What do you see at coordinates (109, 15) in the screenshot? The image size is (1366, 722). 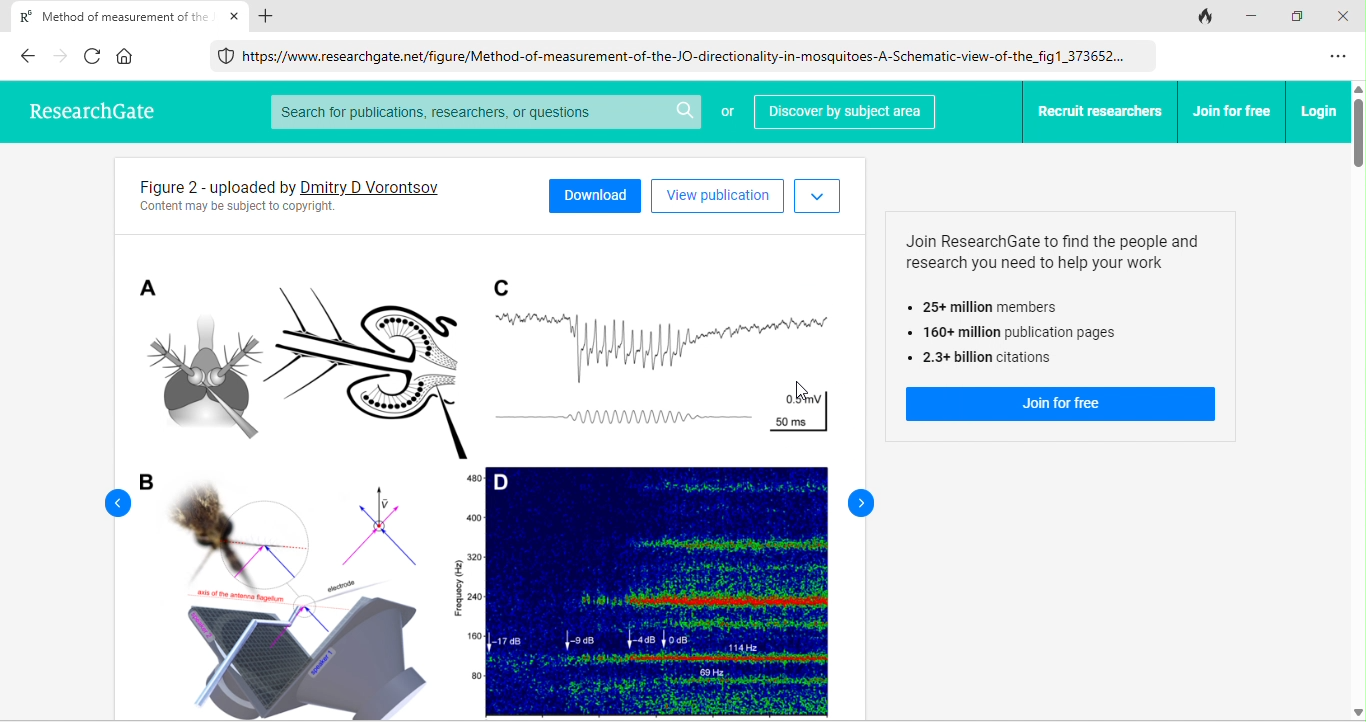 I see `Metho of measurement - tab name ` at bounding box center [109, 15].